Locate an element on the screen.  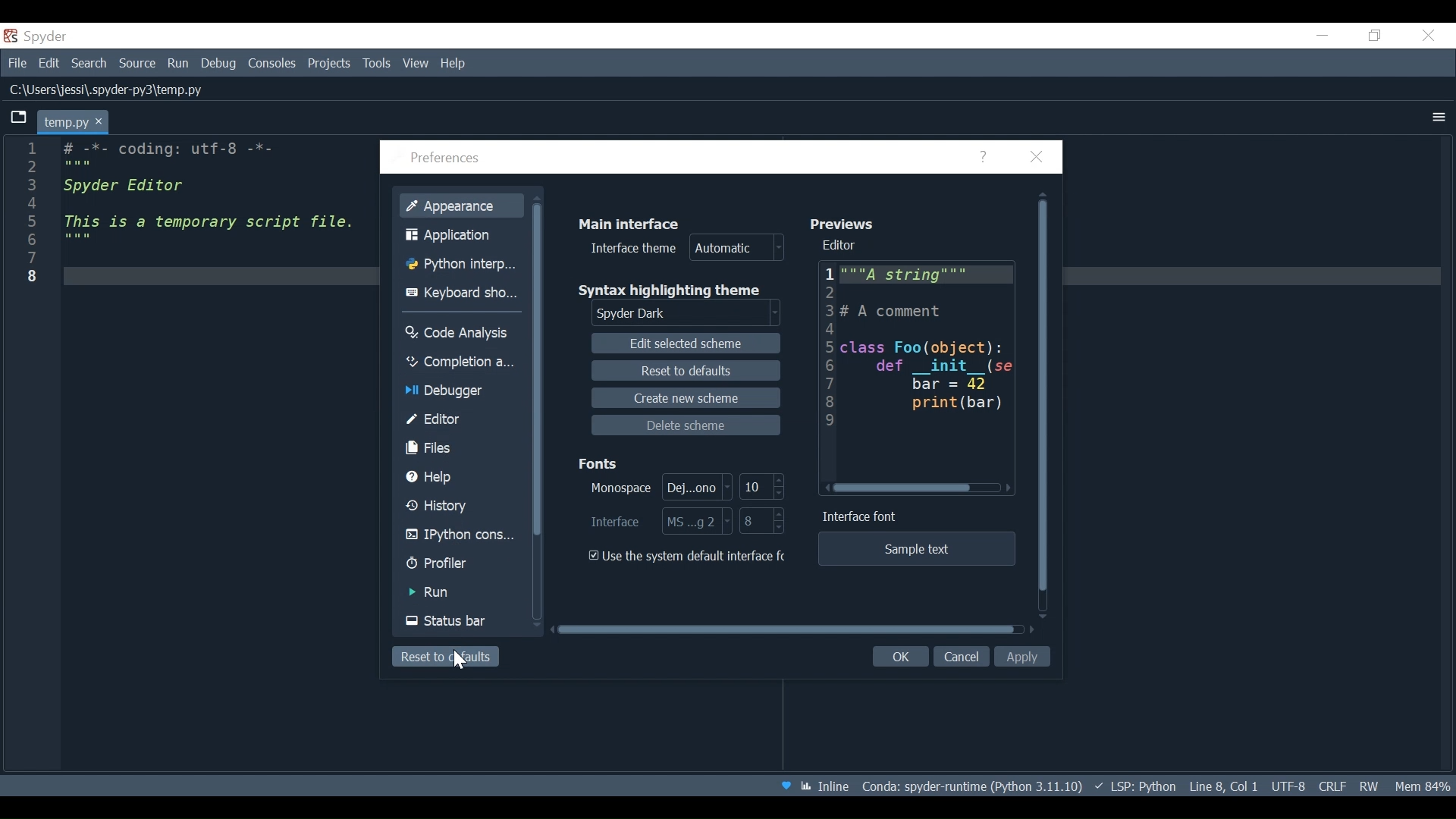
line numbers is located at coordinates (30, 216).